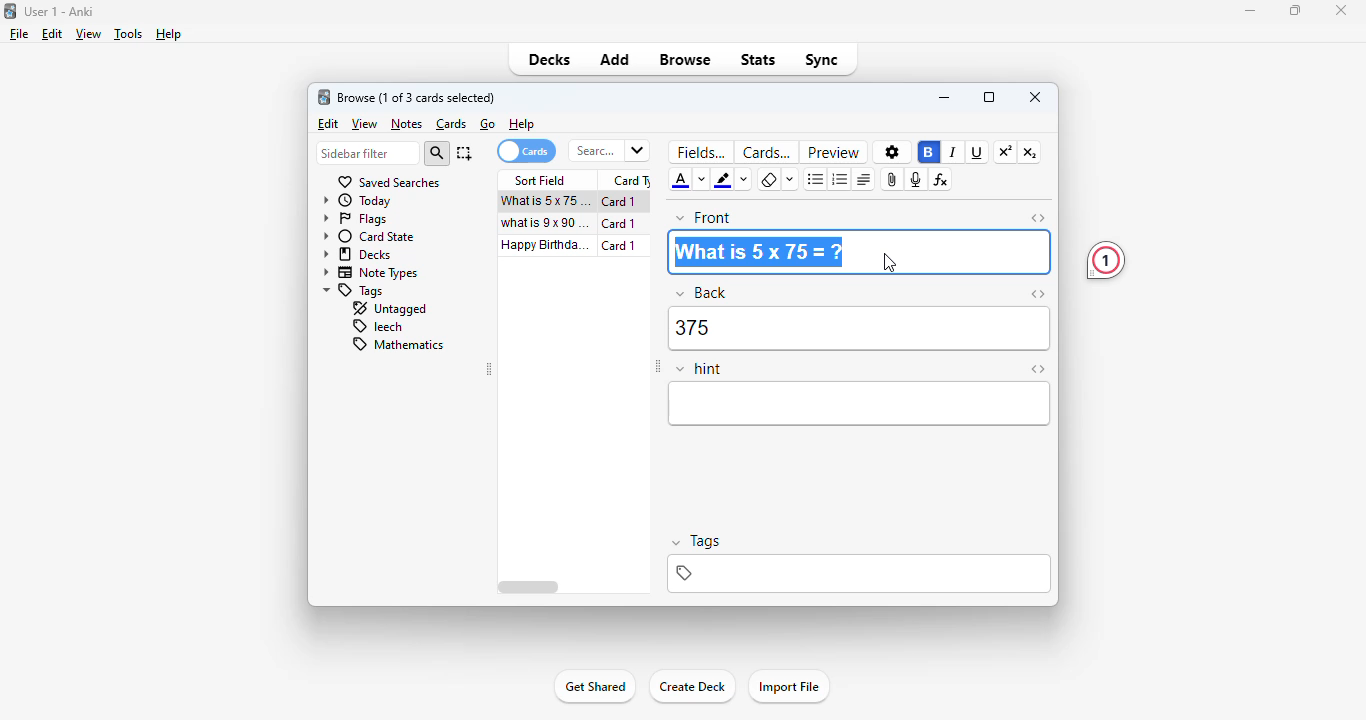  What do you see at coordinates (859, 329) in the screenshot?
I see `375` at bounding box center [859, 329].